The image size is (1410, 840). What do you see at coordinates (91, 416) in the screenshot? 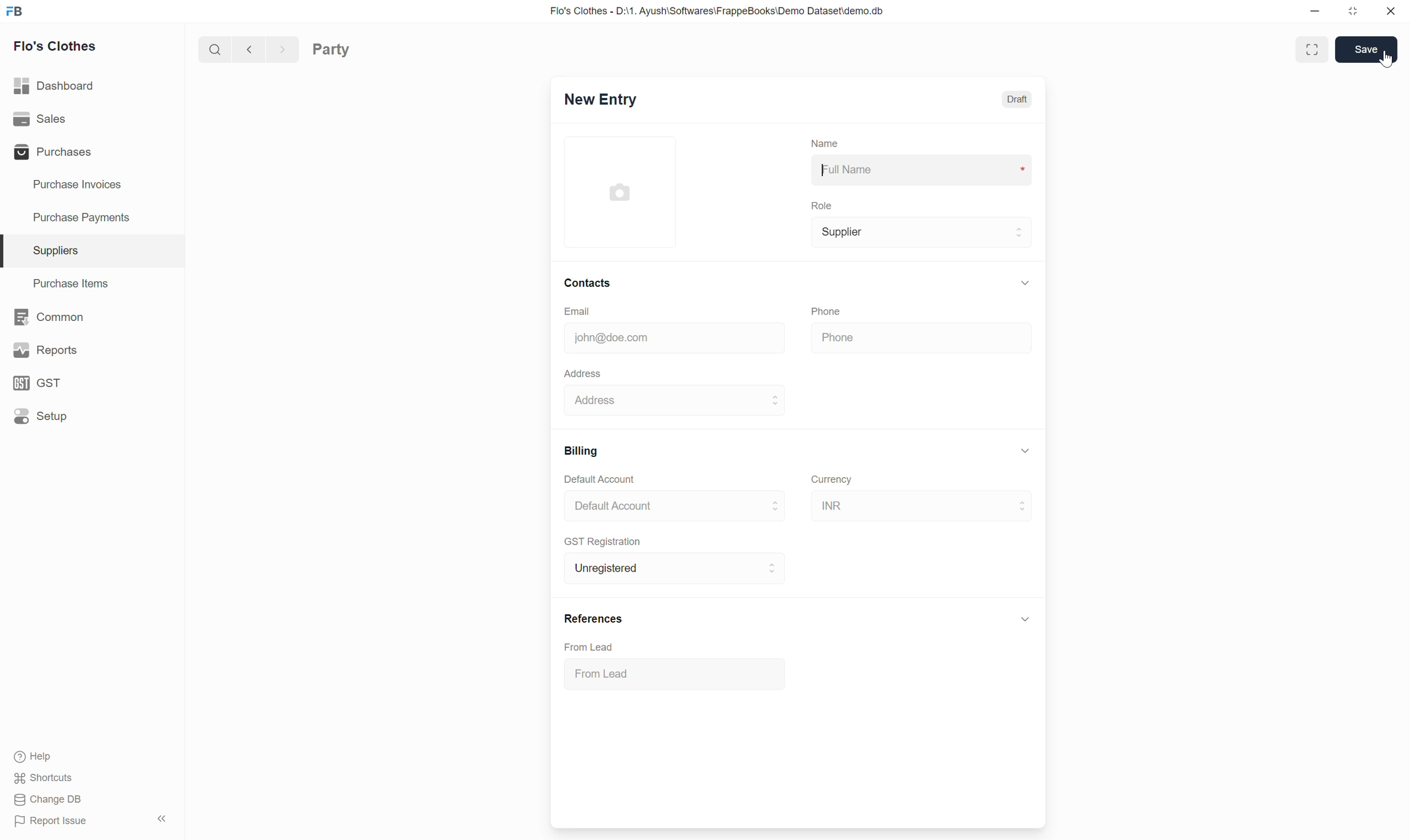
I see `Setup` at bounding box center [91, 416].